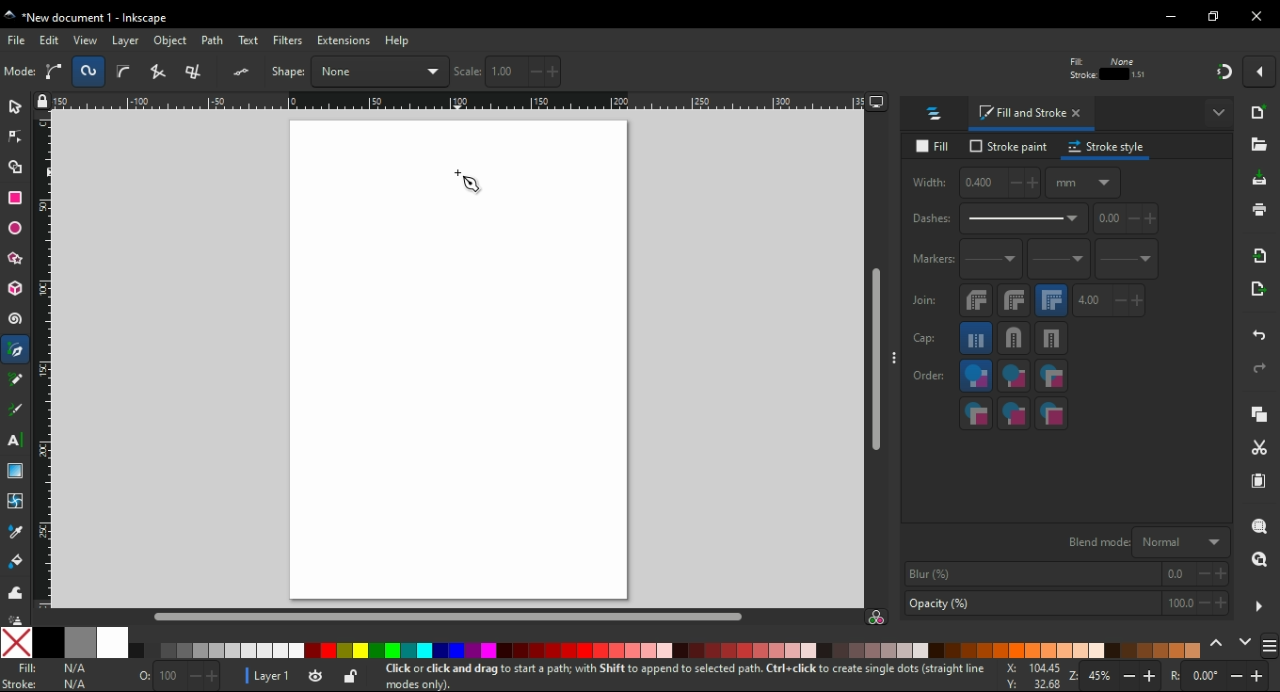  What do you see at coordinates (925, 339) in the screenshot?
I see `cap` at bounding box center [925, 339].